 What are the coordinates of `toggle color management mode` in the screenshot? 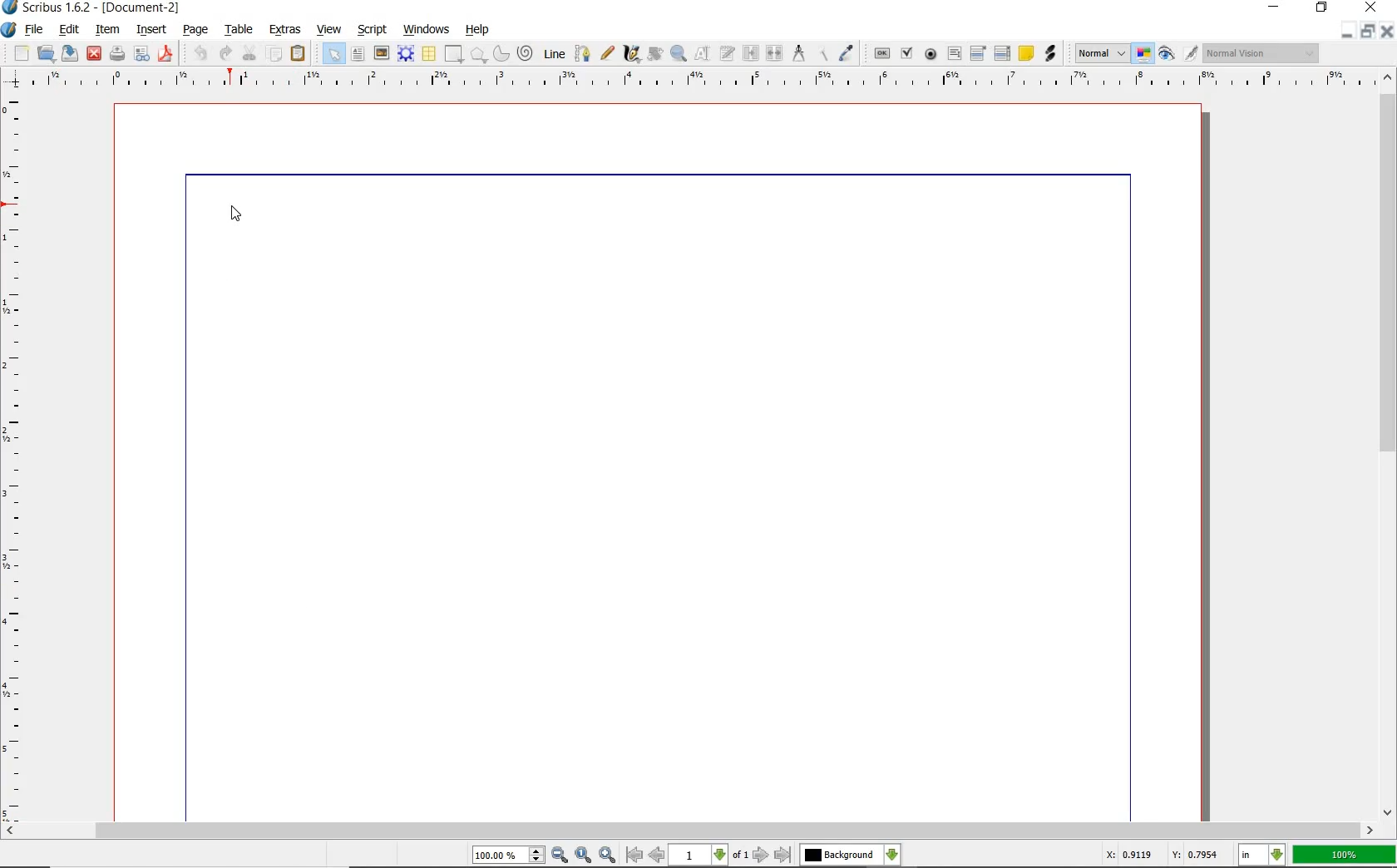 It's located at (1142, 53).